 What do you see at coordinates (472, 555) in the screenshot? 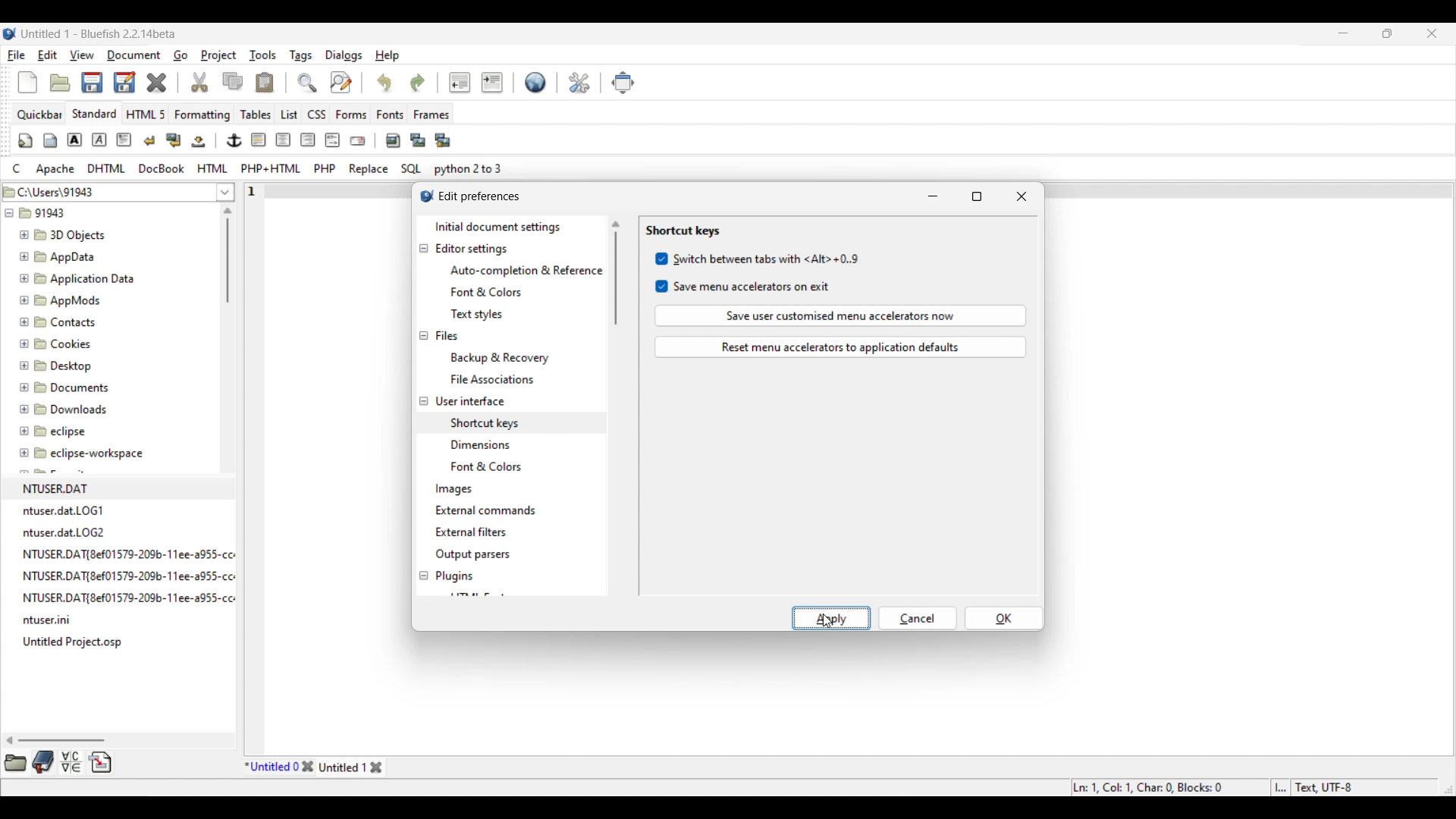
I see `Output parsers` at bounding box center [472, 555].